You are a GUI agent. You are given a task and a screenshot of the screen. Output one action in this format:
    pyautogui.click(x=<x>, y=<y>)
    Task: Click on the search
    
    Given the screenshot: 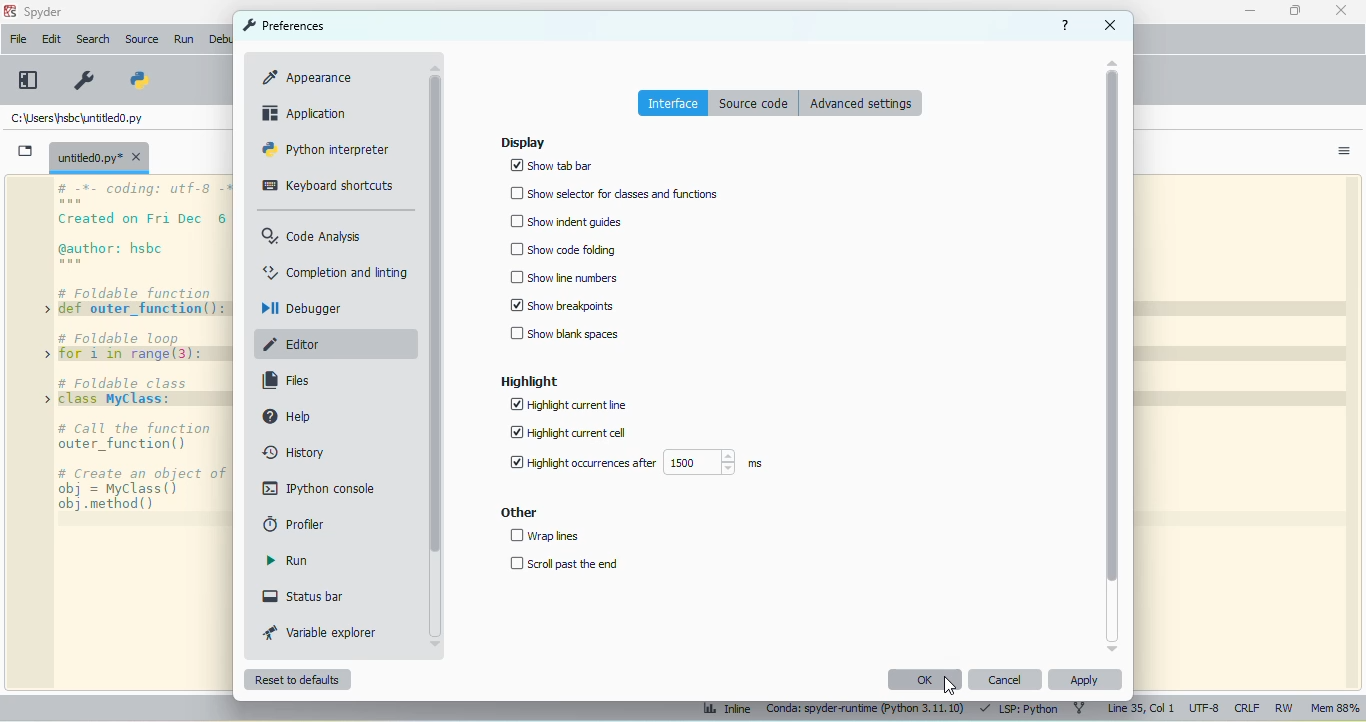 What is the action you would take?
    pyautogui.click(x=93, y=39)
    